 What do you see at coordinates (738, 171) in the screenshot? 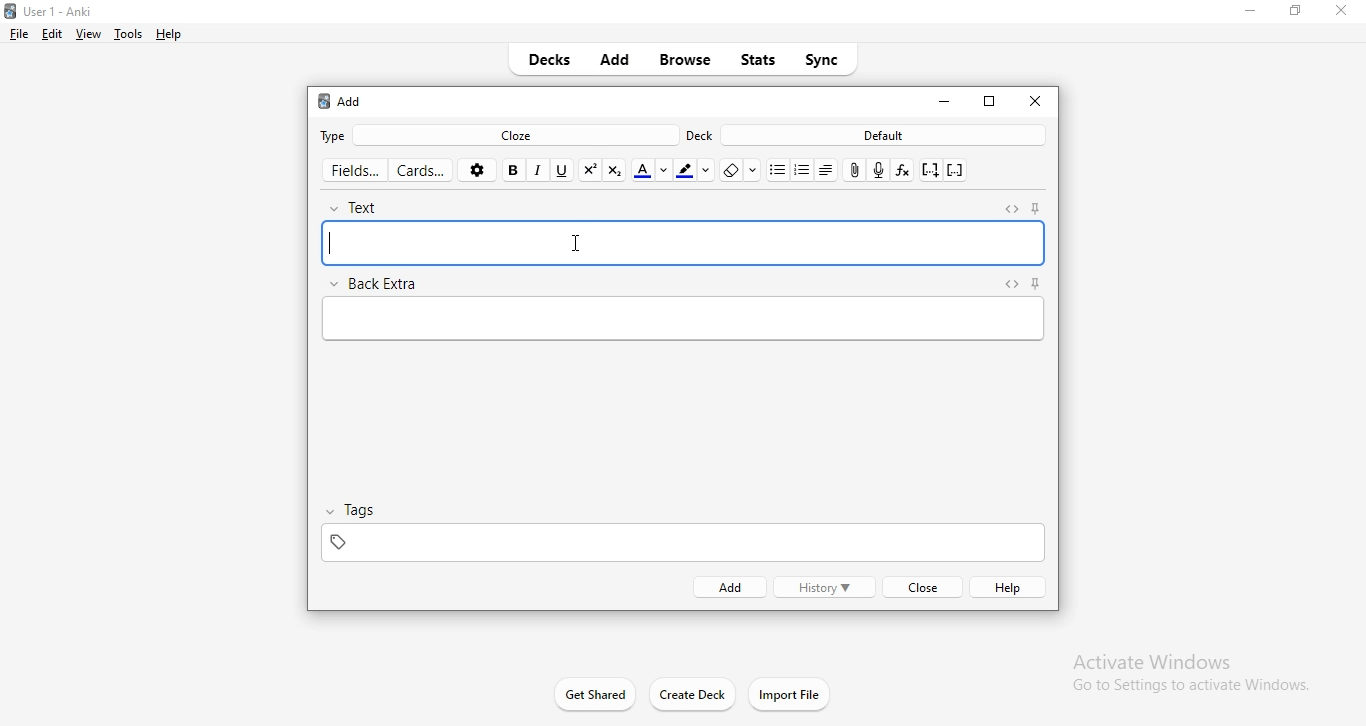
I see `erase` at bounding box center [738, 171].